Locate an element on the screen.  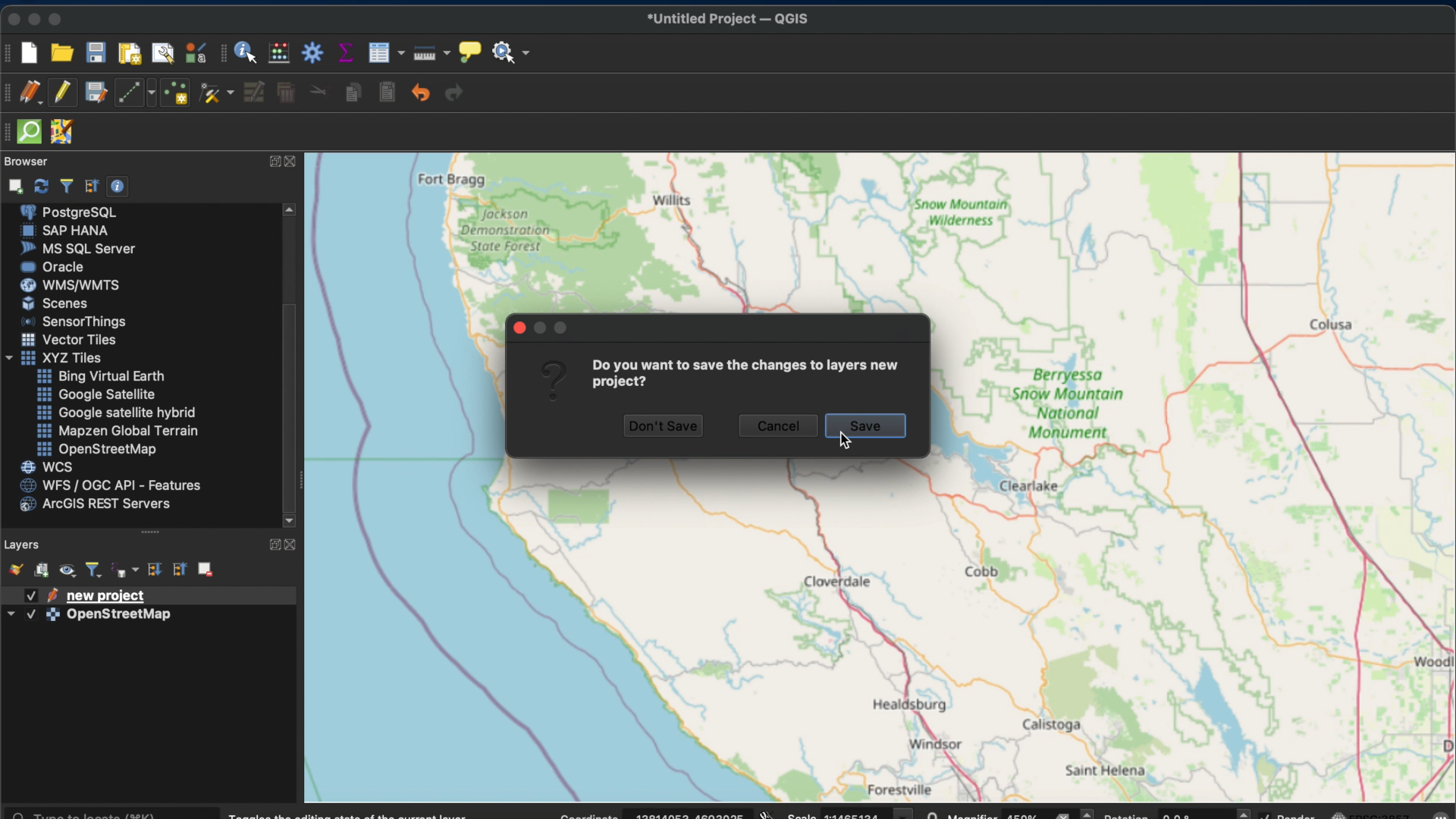
postergre sql is located at coordinates (71, 211).